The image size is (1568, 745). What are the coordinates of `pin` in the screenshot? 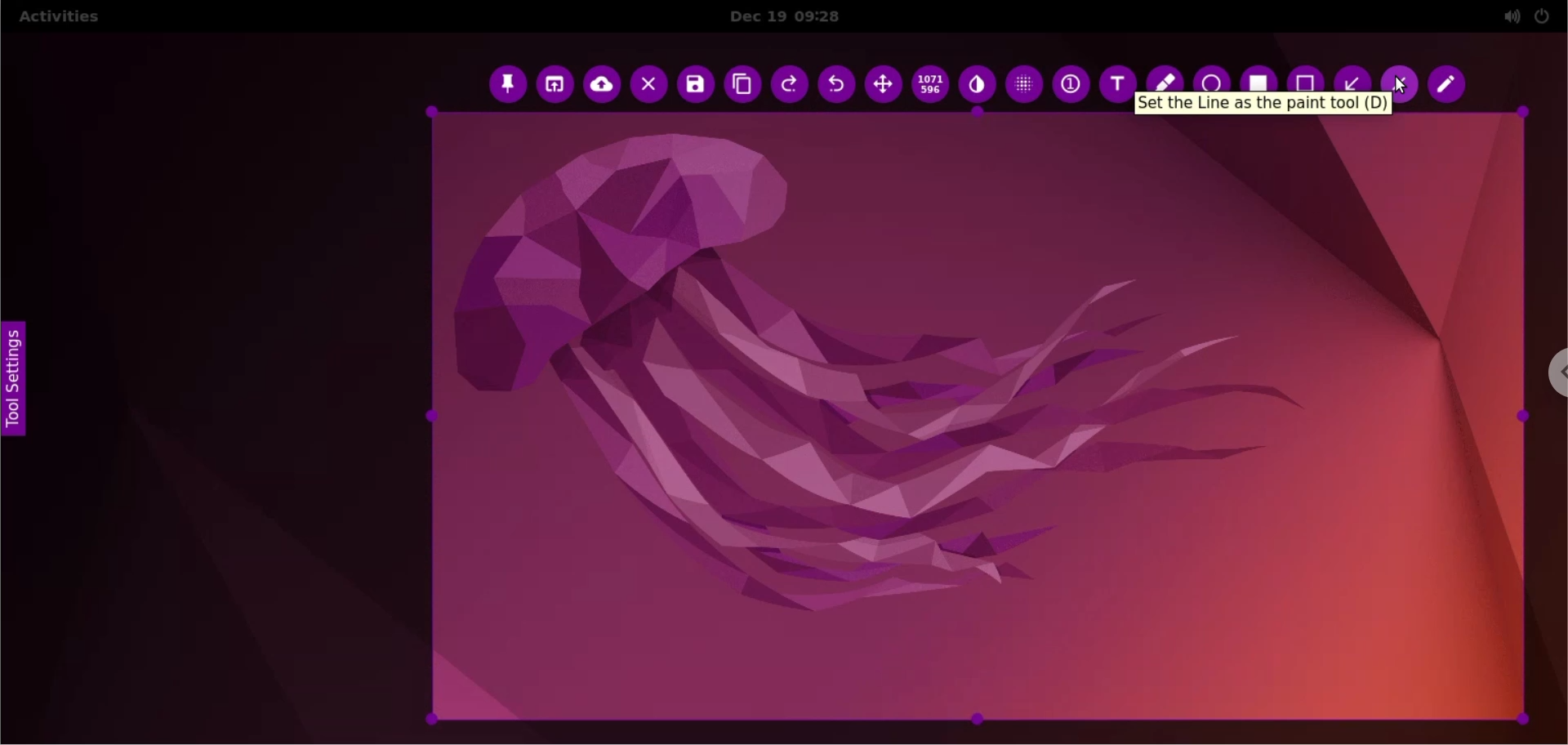 It's located at (509, 86).